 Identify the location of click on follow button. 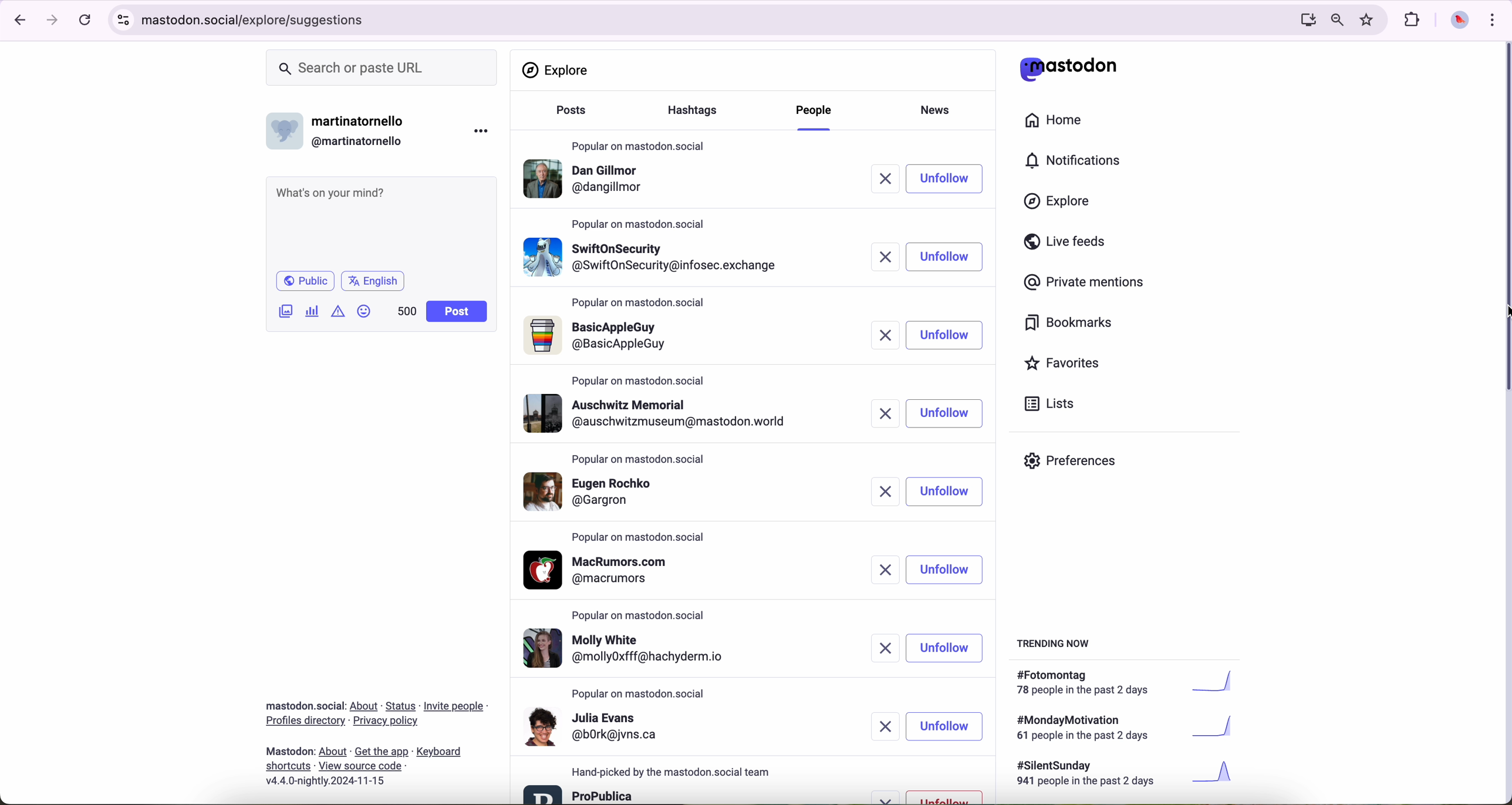
(953, 178).